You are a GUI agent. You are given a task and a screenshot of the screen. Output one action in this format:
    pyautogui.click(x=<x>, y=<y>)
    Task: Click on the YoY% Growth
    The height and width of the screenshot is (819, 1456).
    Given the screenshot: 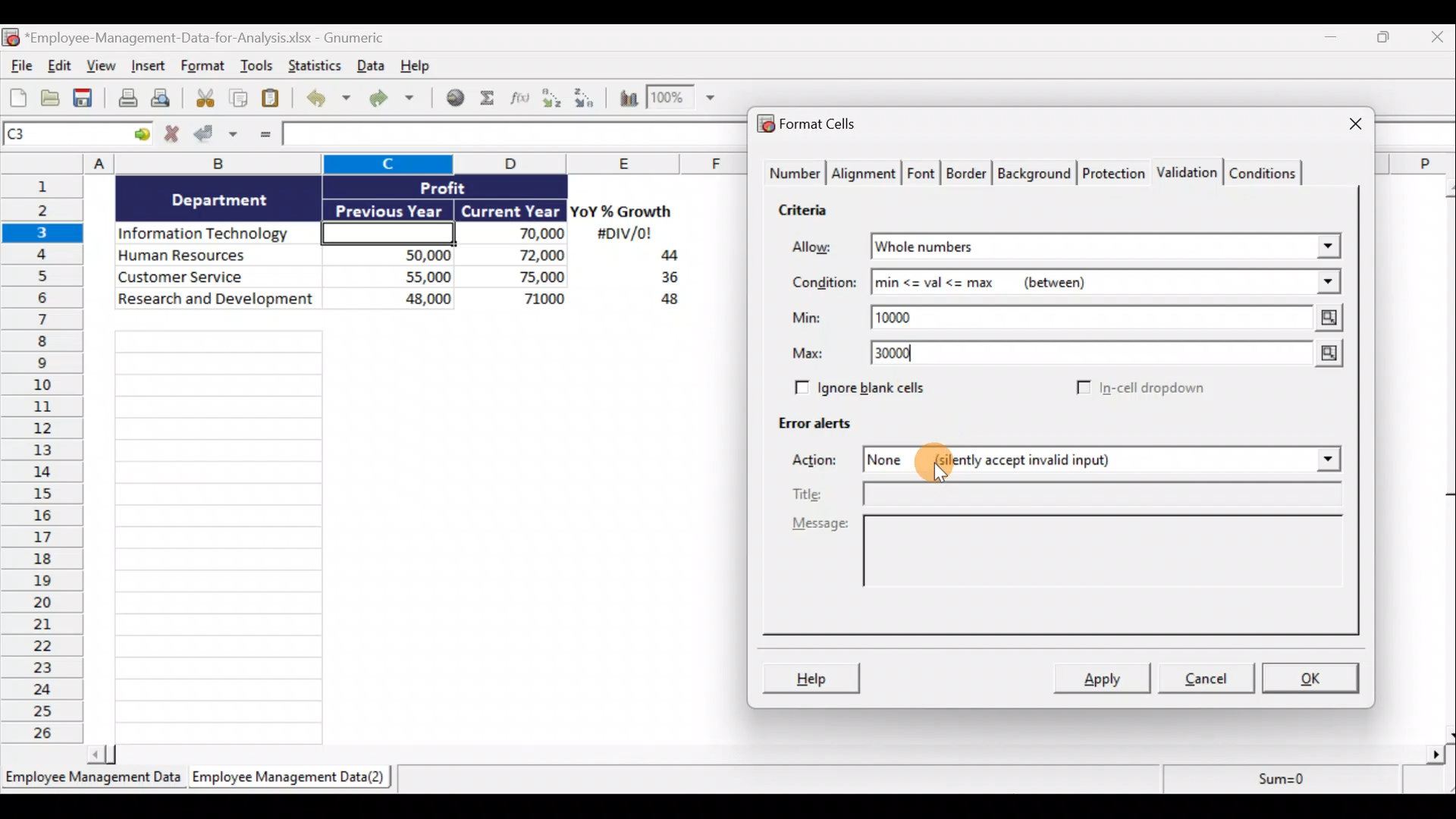 What is the action you would take?
    pyautogui.click(x=622, y=212)
    